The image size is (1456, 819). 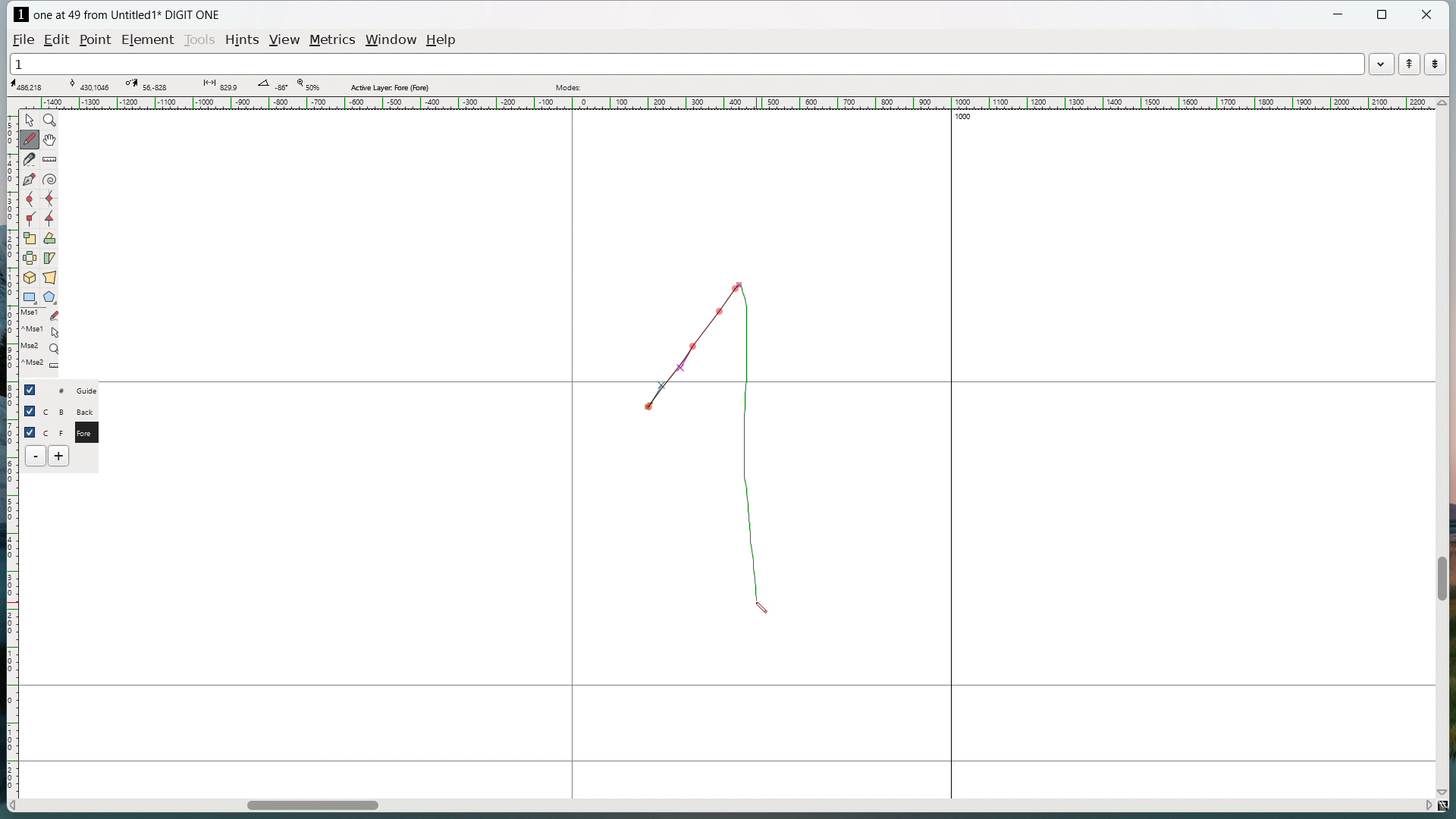 What do you see at coordinates (30, 218) in the screenshot?
I see `add a corner point` at bounding box center [30, 218].